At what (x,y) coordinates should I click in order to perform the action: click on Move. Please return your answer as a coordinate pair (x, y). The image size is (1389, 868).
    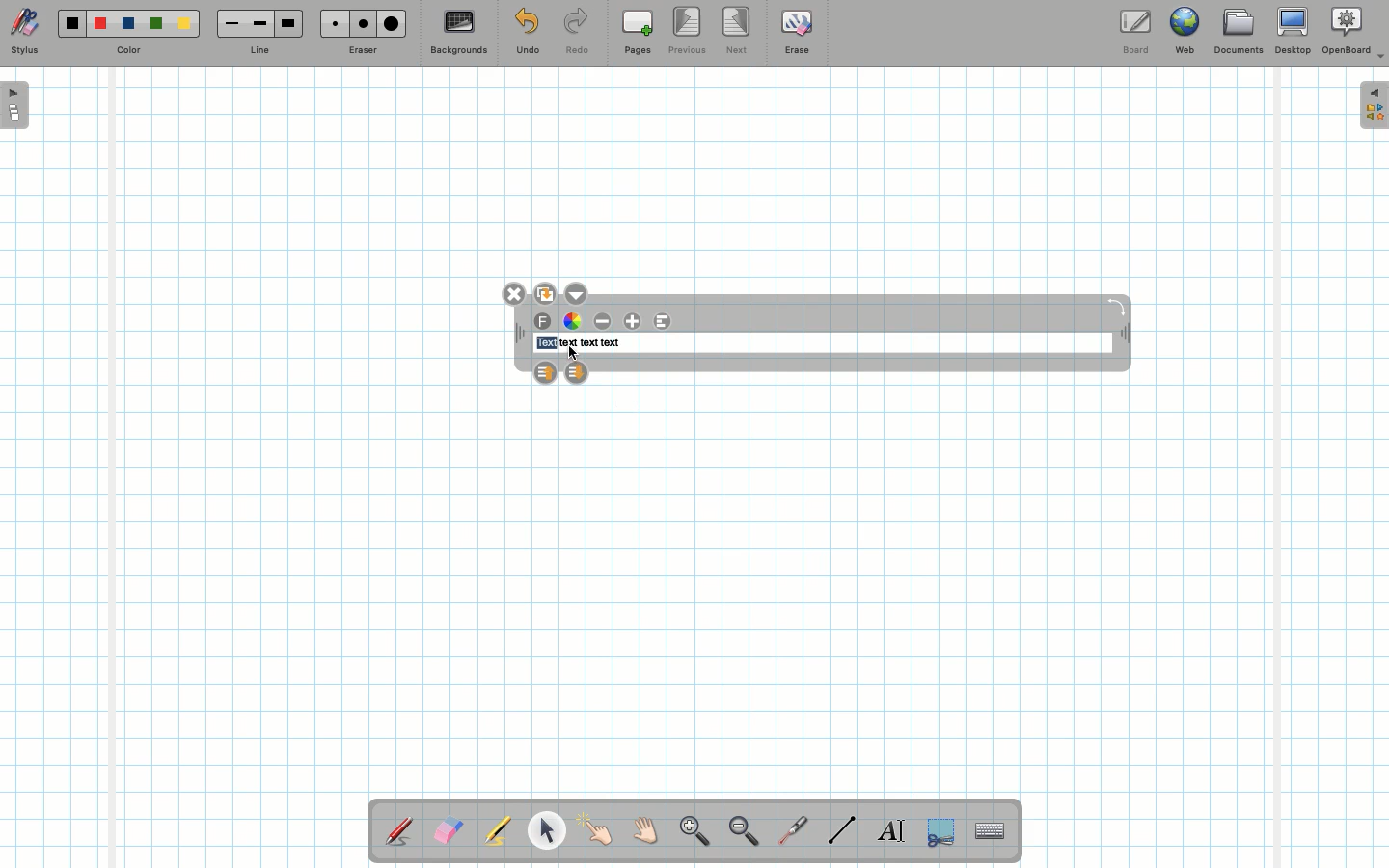
    Looking at the image, I should click on (520, 336).